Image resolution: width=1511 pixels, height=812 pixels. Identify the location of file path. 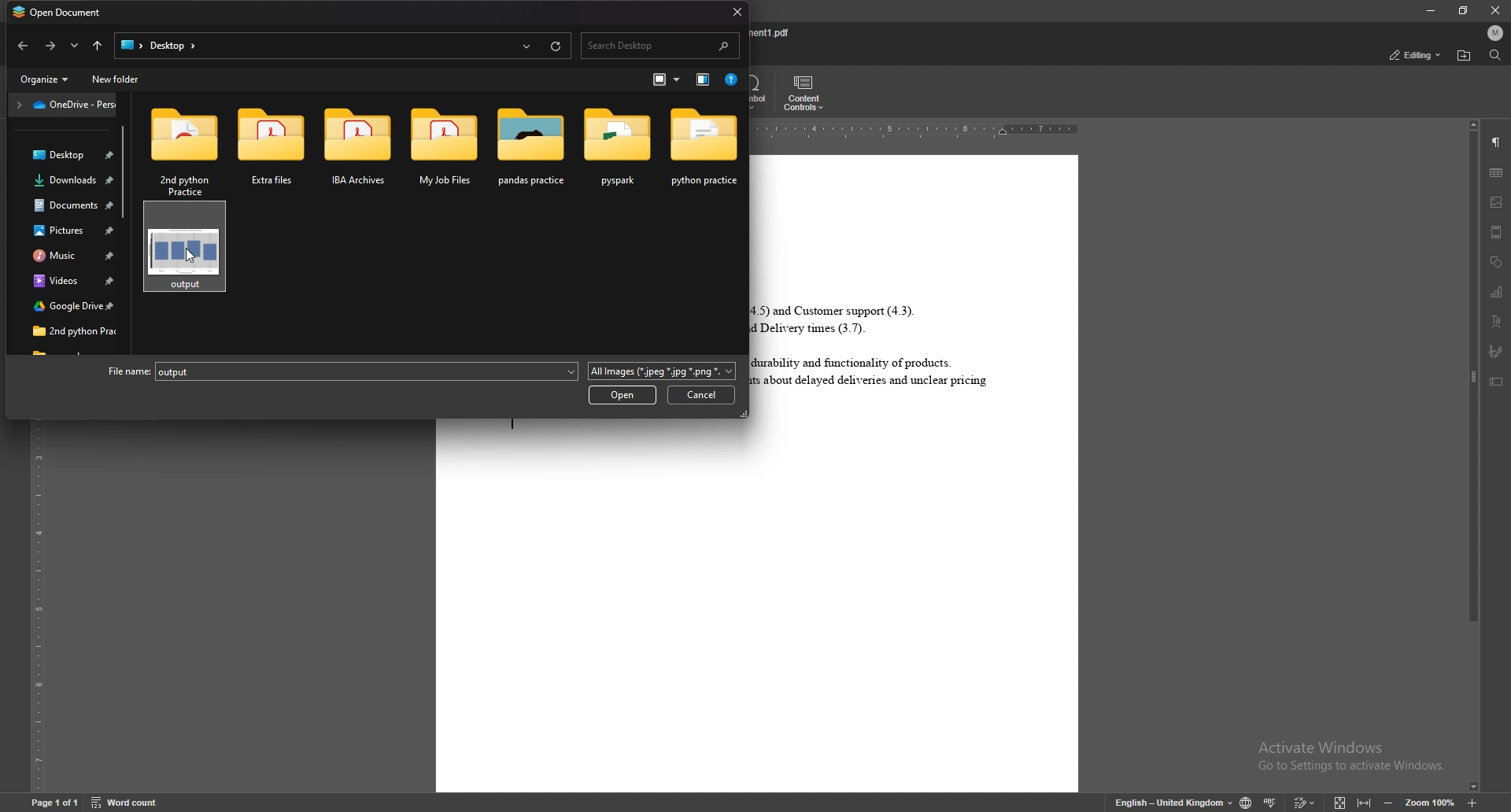
(341, 45).